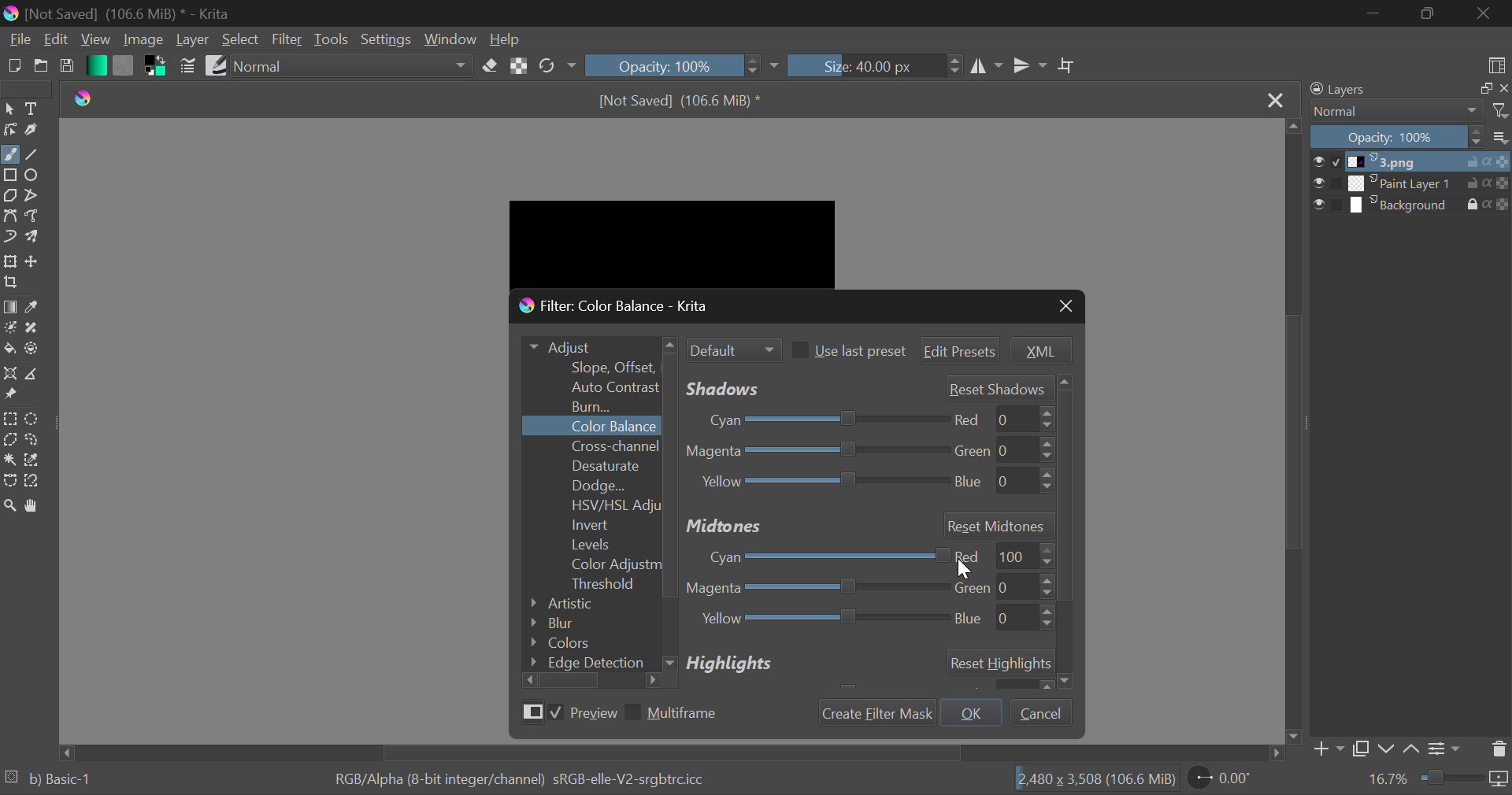  What do you see at coordinates (732, 347) in the screenshot?
I see `Filter Mode` at bounding box center [732, 347].